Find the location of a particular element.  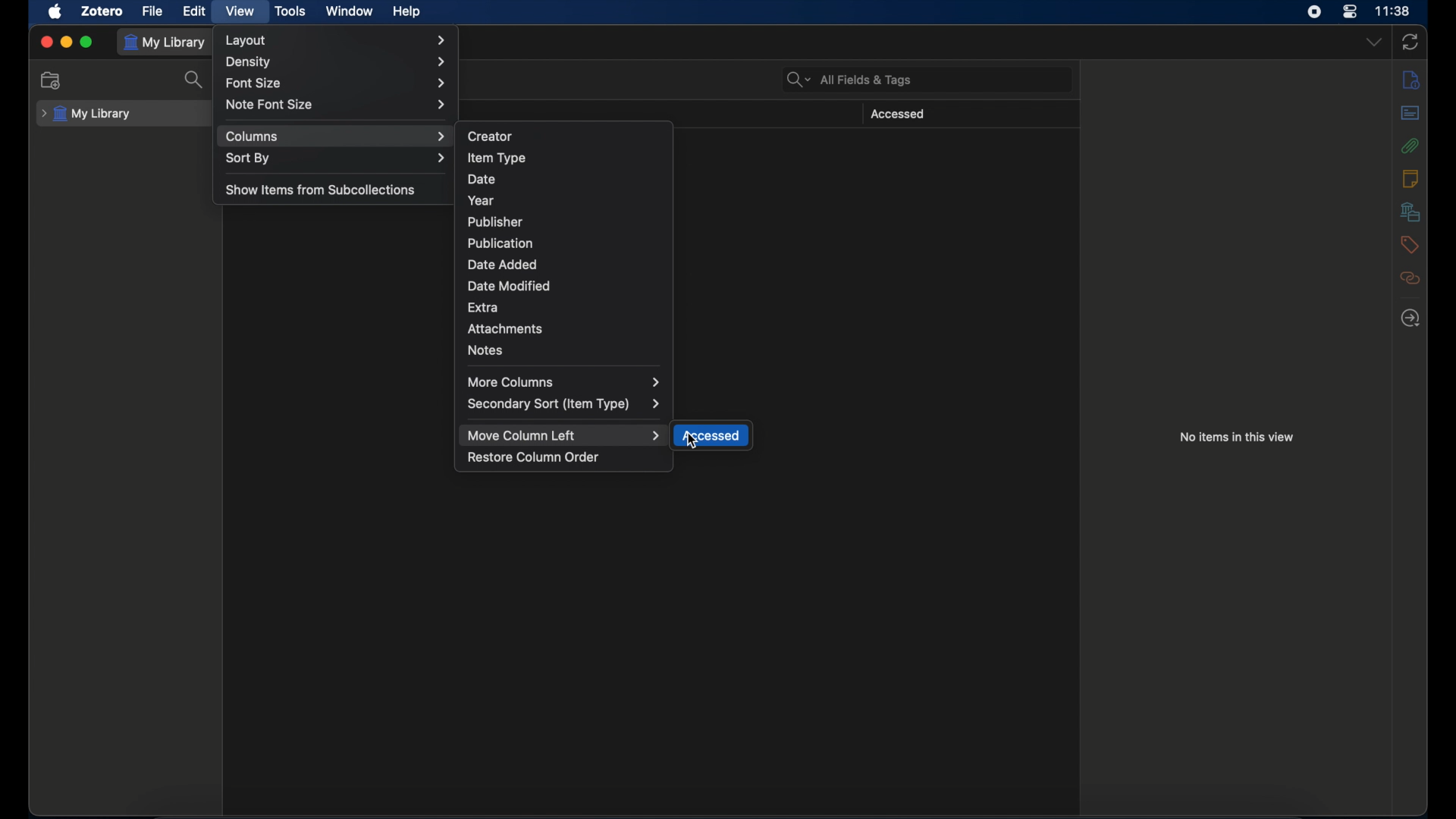

maximize is located at coordinates (86, 42).